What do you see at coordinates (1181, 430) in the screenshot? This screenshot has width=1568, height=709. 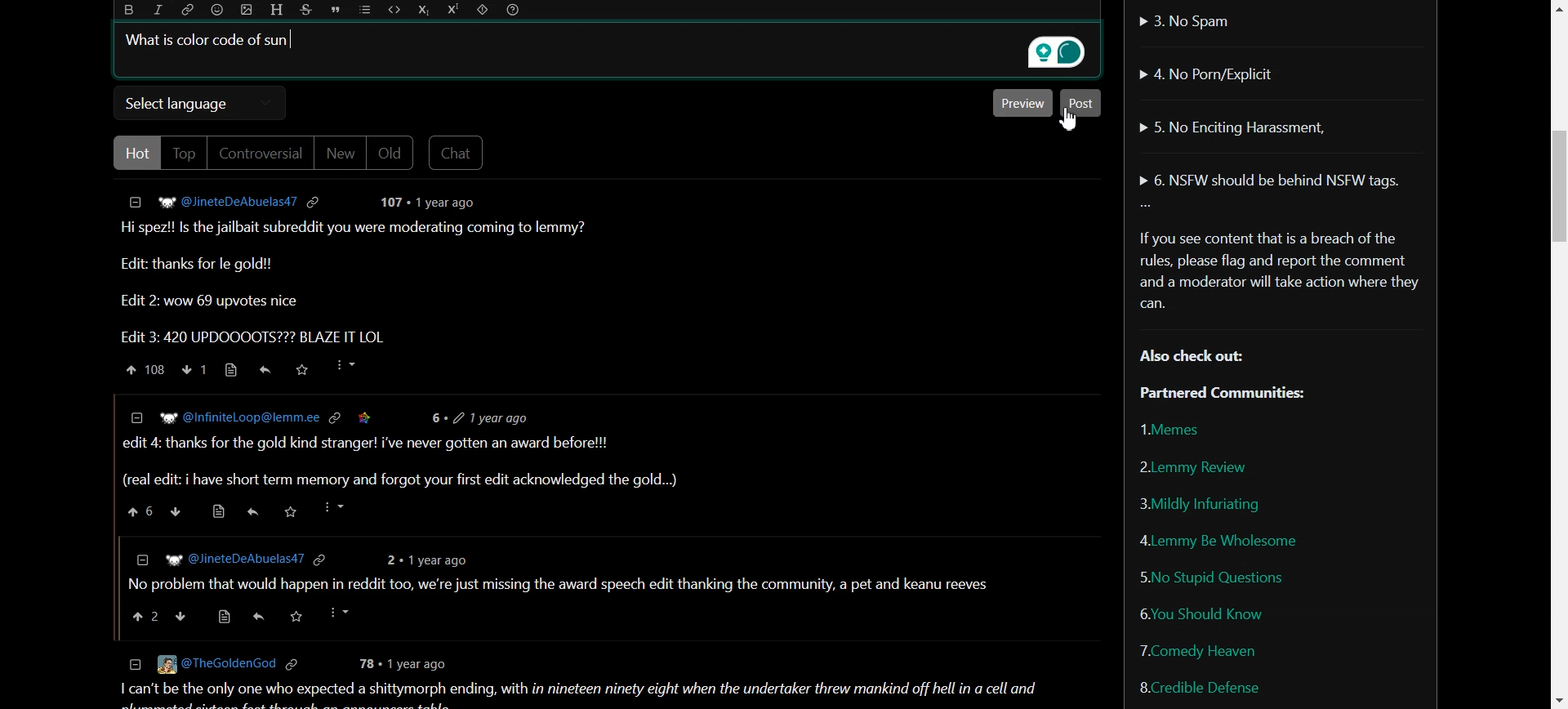 I see `Memes` at bounding box center [1181, 430].